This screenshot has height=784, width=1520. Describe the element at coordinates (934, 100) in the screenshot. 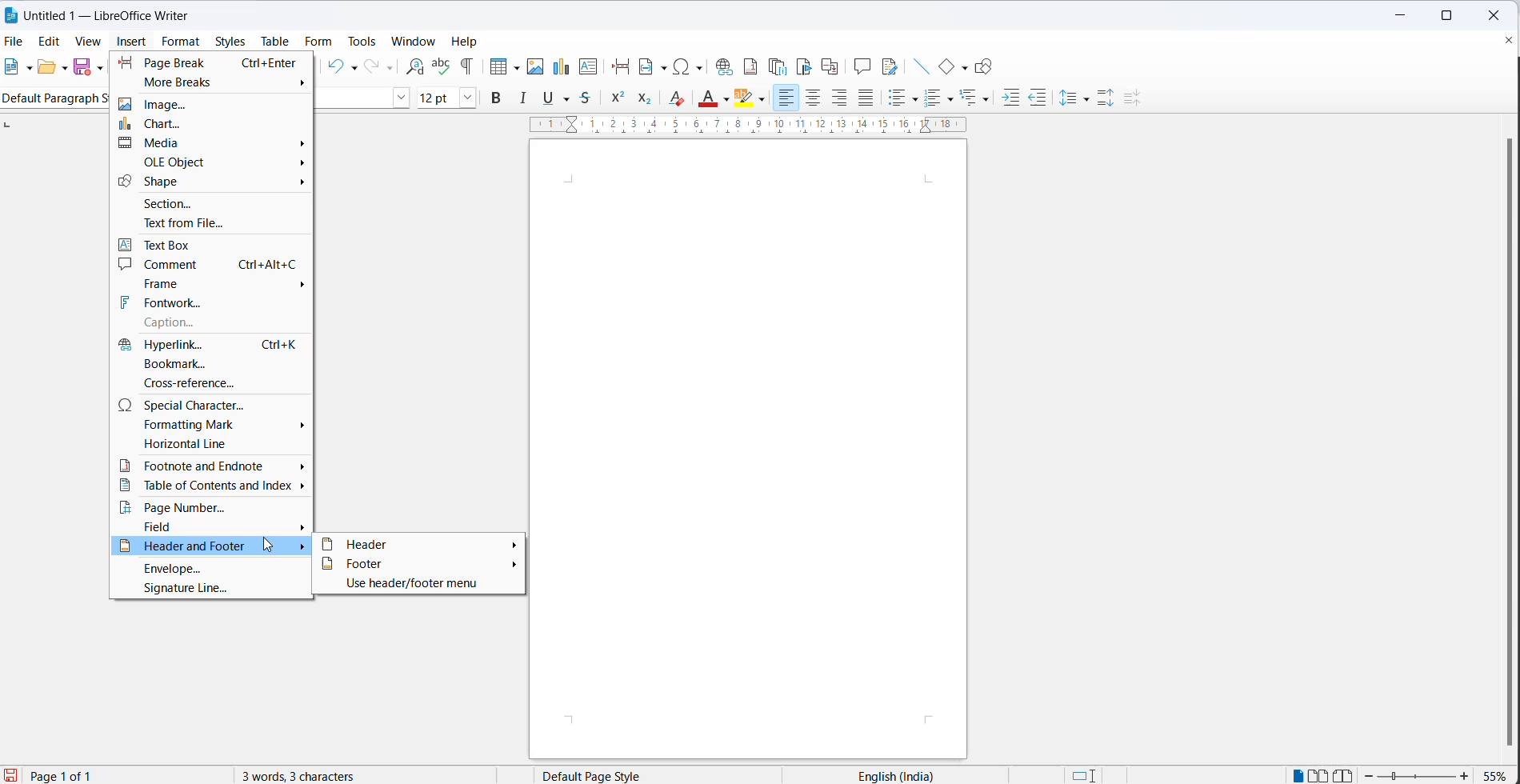

I see `toggle unordered list` at that location.